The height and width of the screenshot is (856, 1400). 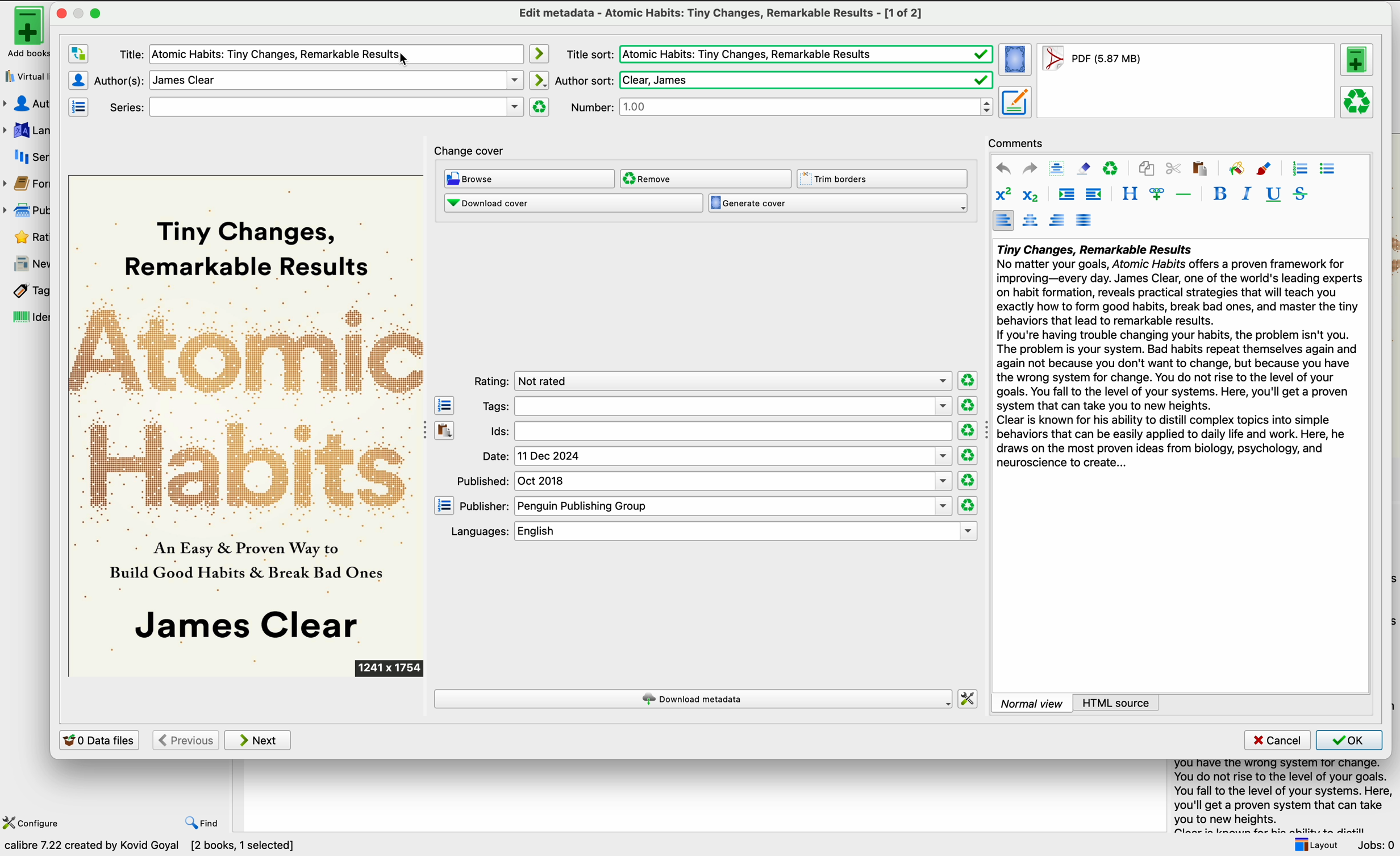 What do you see at coordinates (1247, 194) in the screenshot?
I see `italic` at bounding box center [1247, 194].